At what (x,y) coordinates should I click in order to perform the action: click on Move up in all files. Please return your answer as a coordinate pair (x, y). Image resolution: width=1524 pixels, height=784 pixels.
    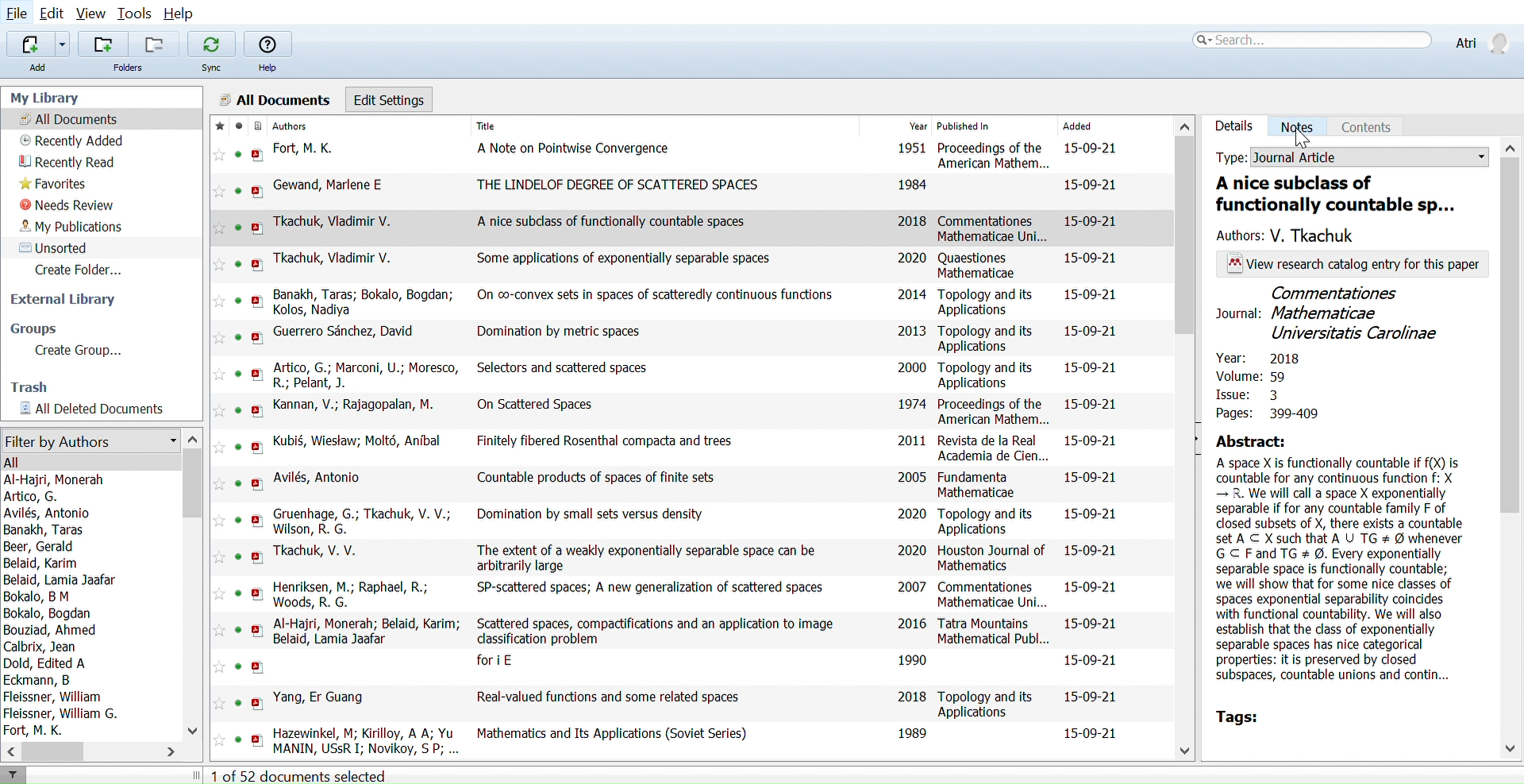
    Looking at the image, I should click on (1183, 125).